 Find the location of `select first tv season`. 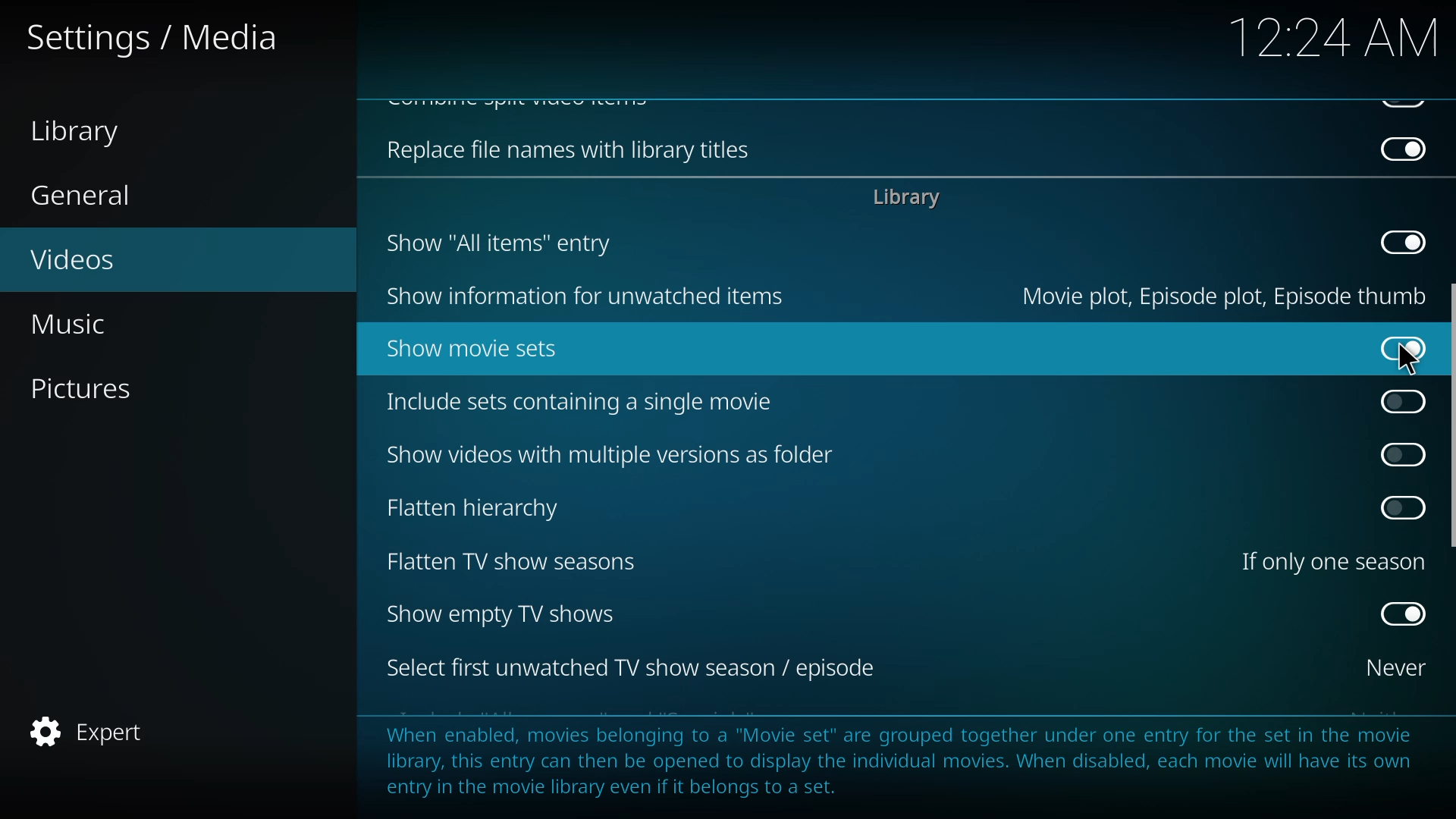

select first tv season is located at coordinates (635, 670).